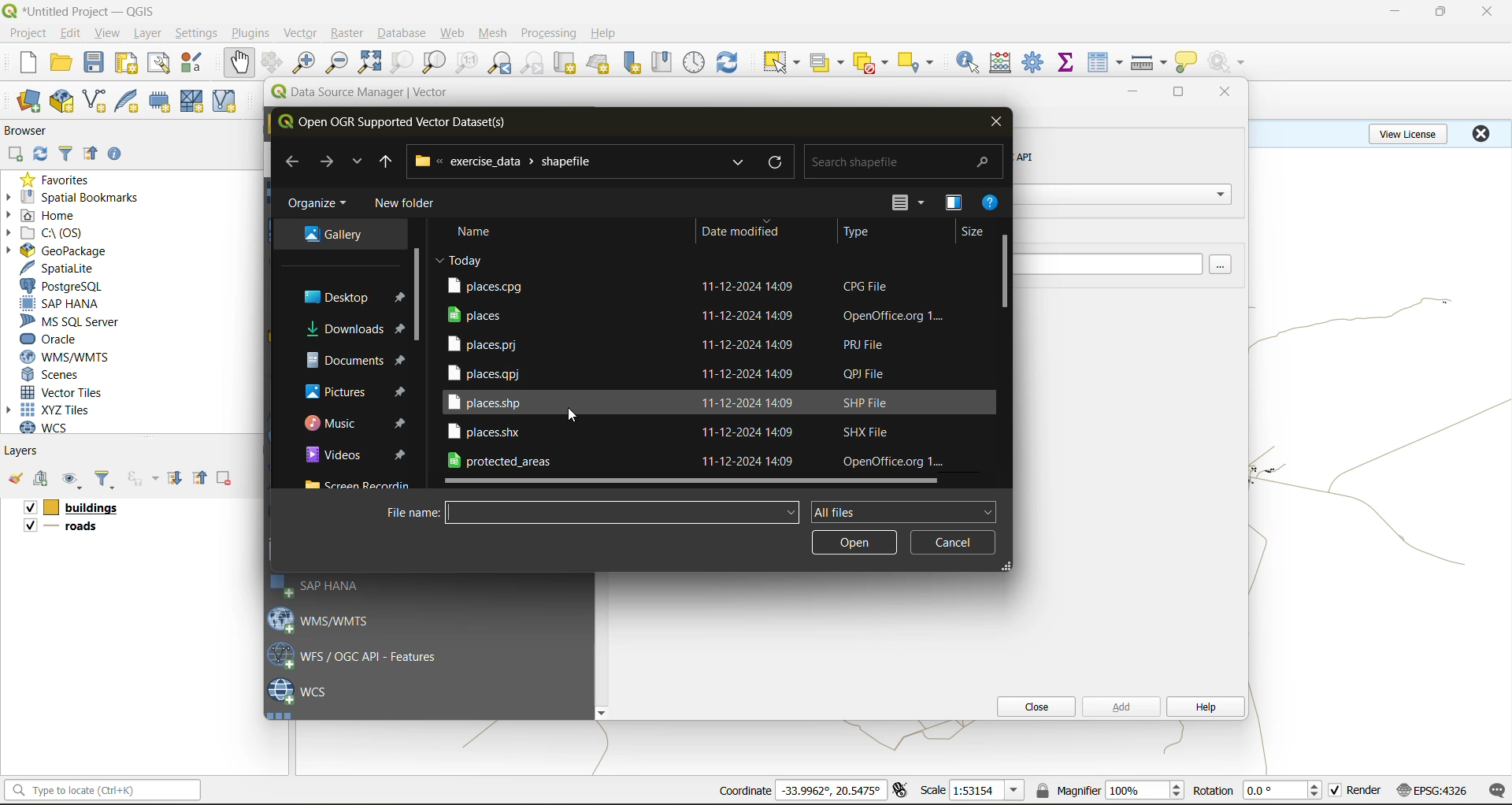 The height and width of the screenshot is (805, 1512). I want to click on add, so click(43, 480).